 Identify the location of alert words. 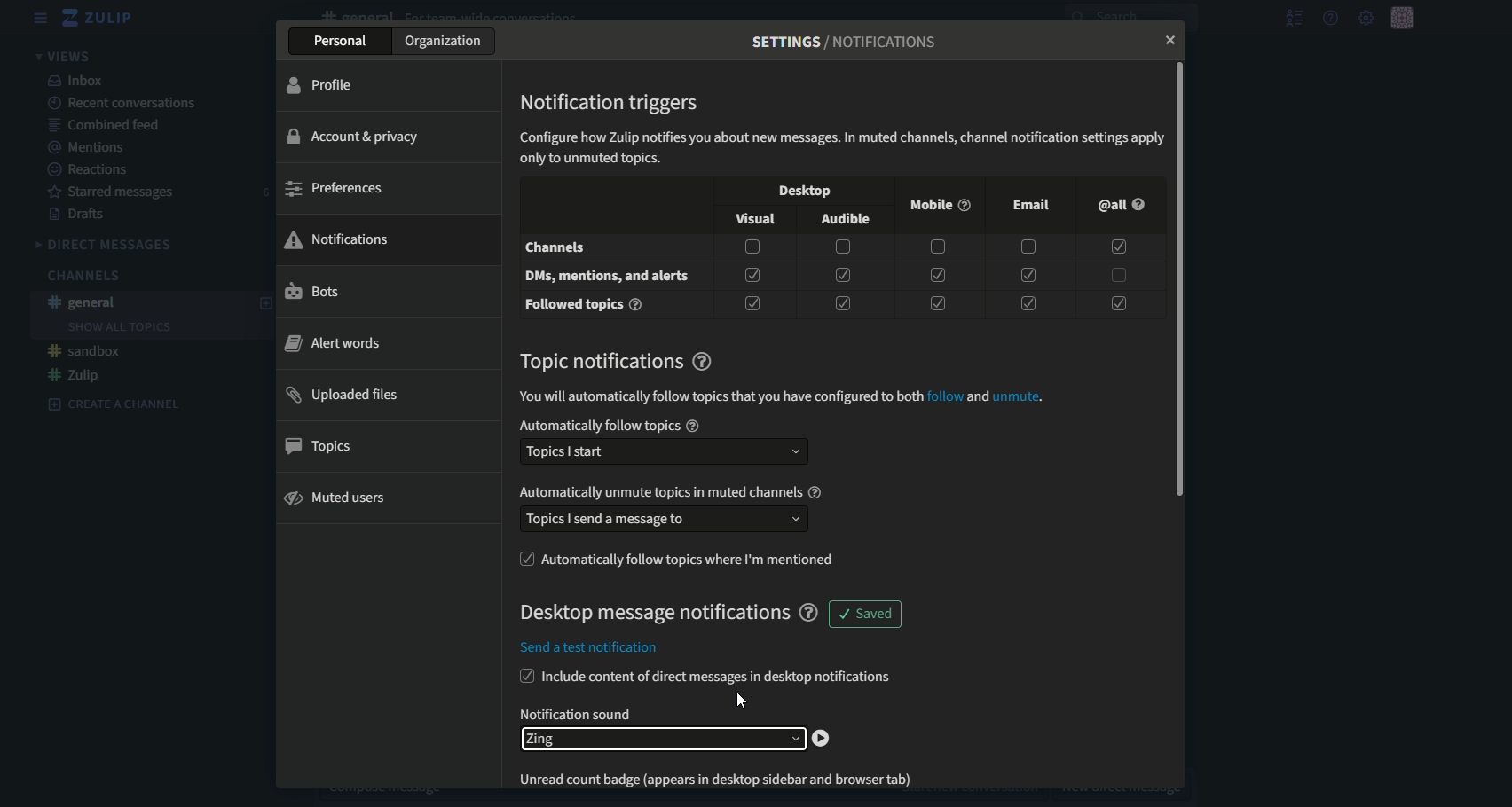
(333, 343).